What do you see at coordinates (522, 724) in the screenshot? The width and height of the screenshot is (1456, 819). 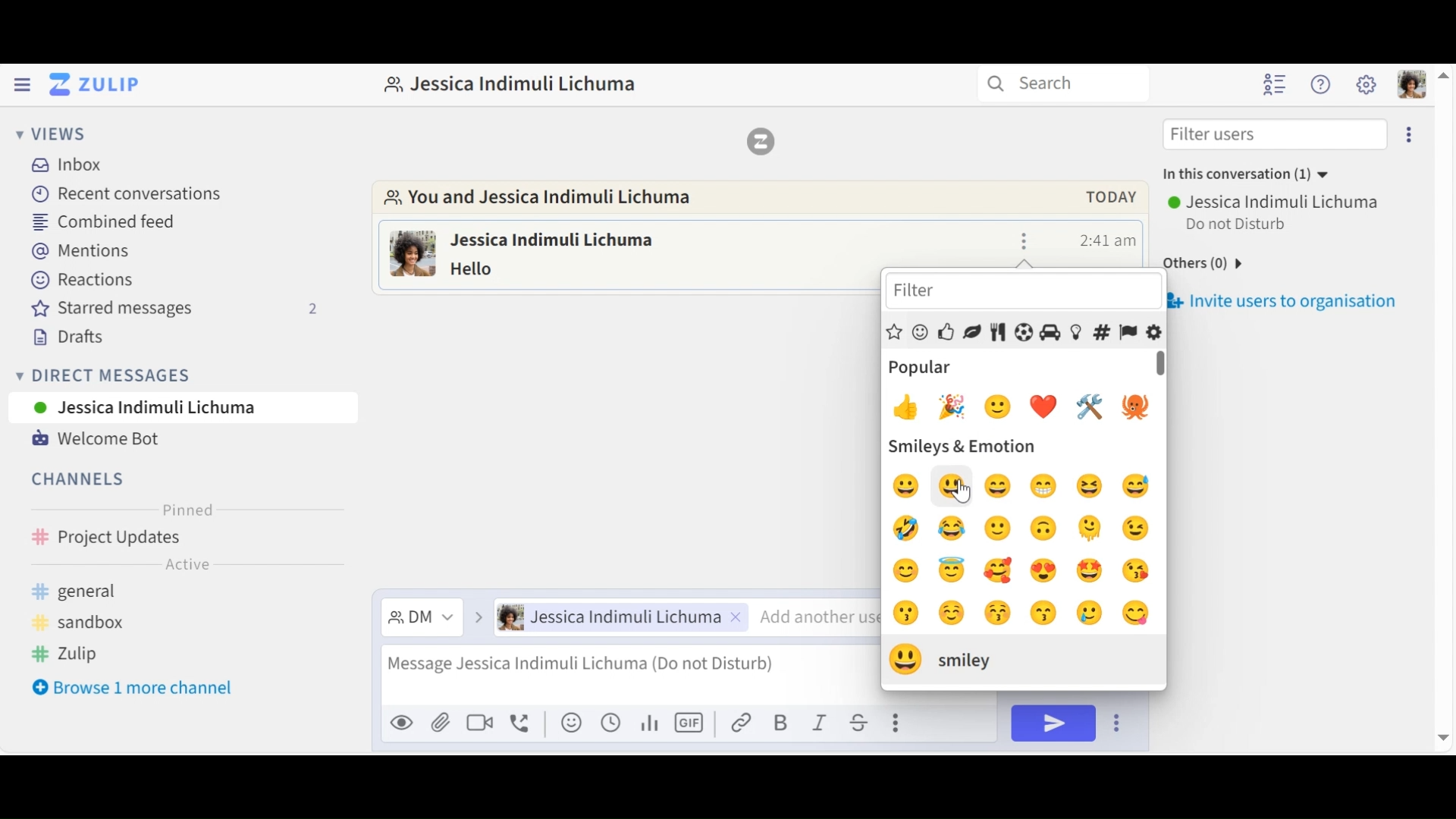 I see `Add voice call` at bounding box center [522, 724].